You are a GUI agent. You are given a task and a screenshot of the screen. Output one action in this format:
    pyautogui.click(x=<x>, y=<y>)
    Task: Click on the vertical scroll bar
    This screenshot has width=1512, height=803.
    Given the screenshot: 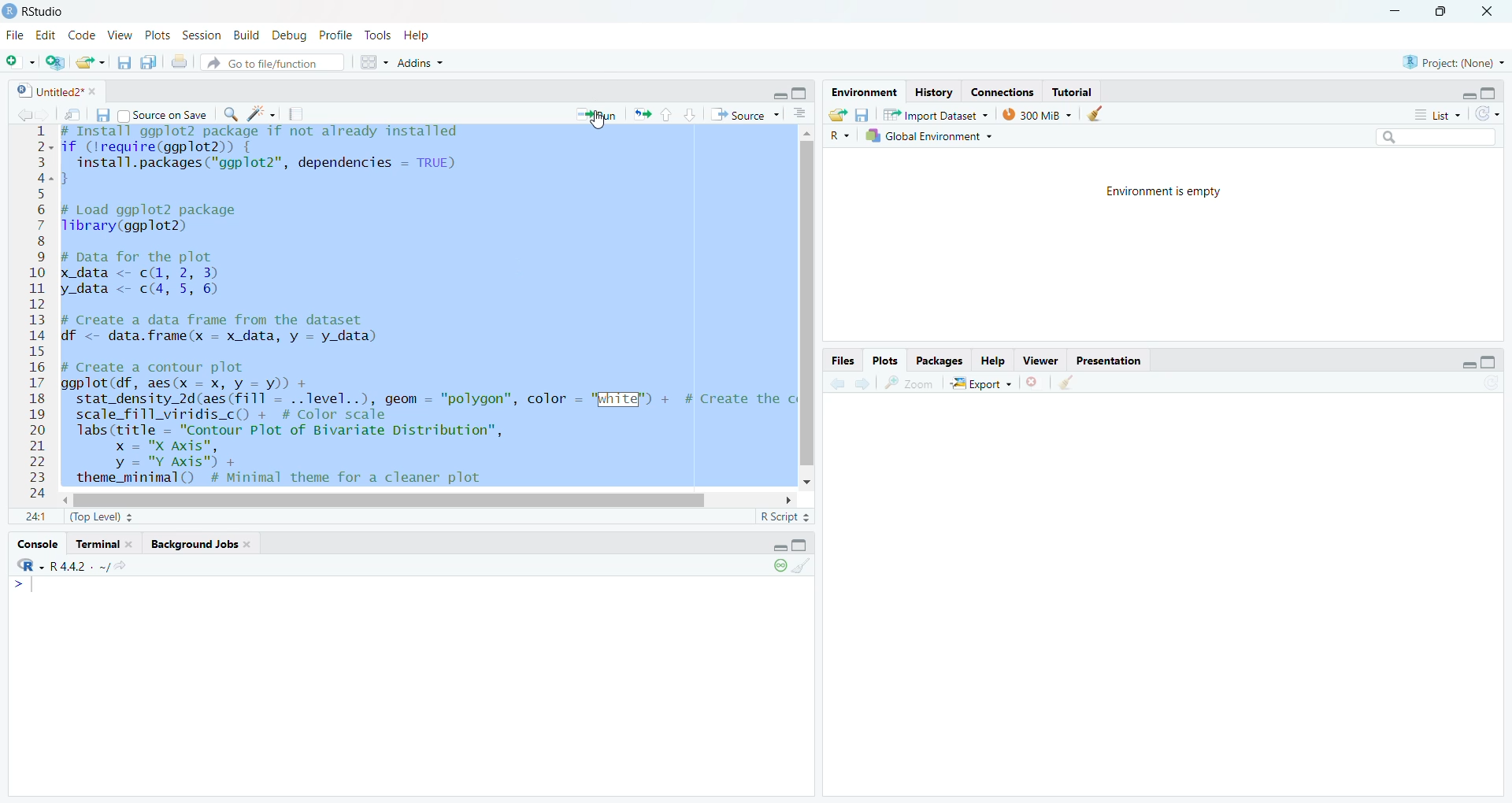 What is the action you would take?
    pyautogui.click(x=806, y=305)
    